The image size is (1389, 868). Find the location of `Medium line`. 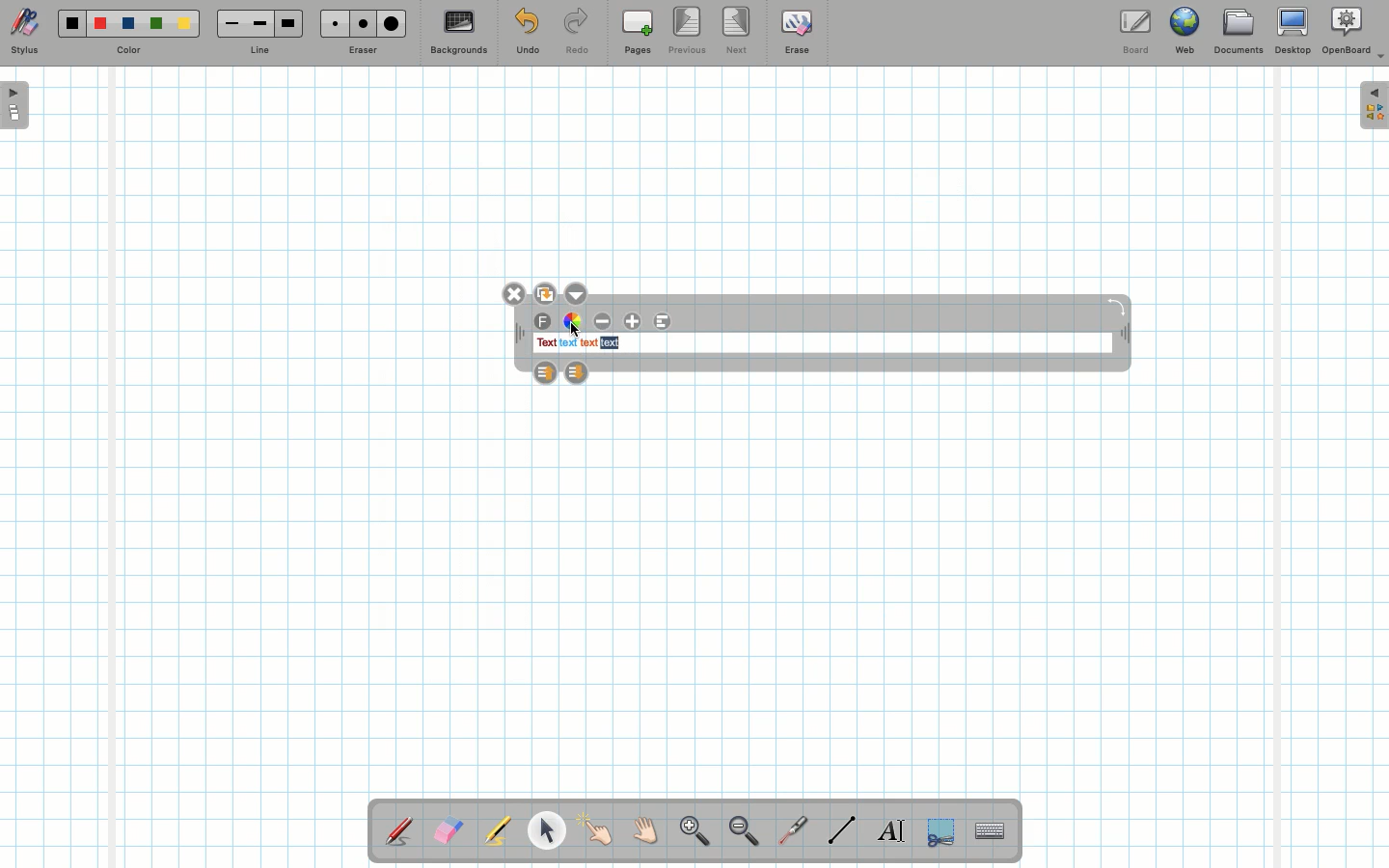

Medium line is located at coordinates (259, 23).